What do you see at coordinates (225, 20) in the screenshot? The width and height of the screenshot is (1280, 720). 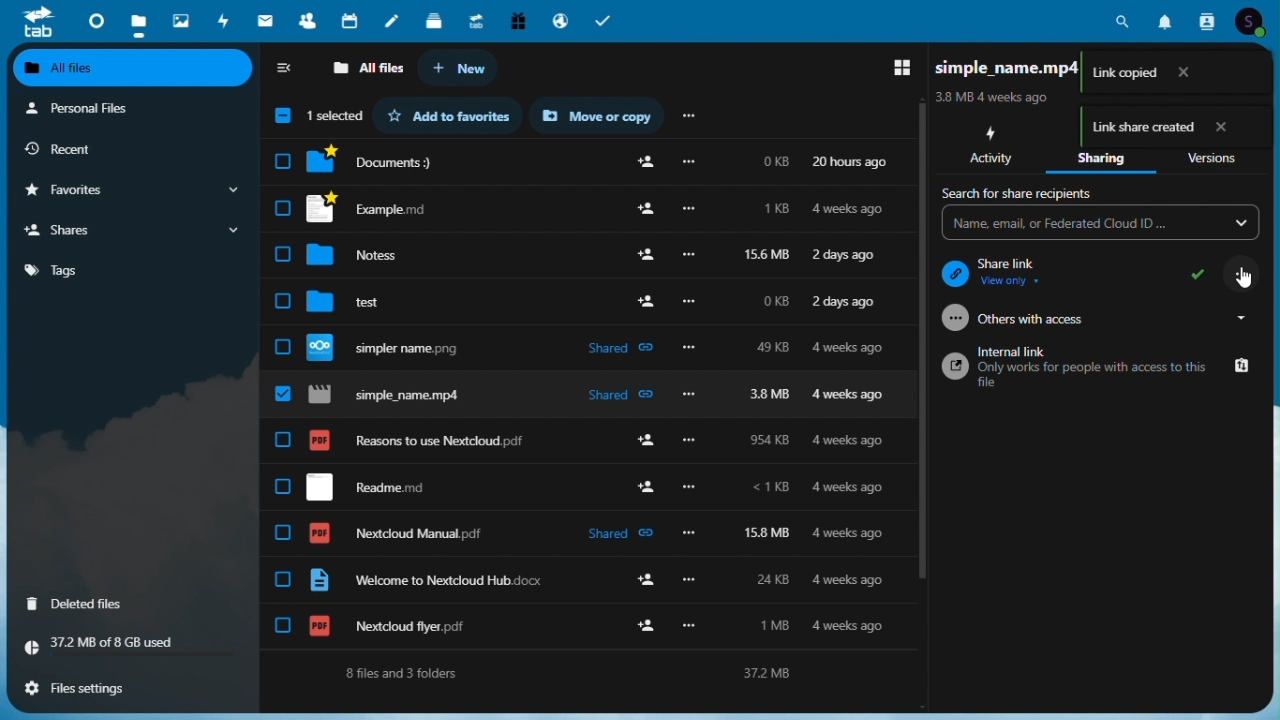 I see `Activity` at bounding box center [225, 20].